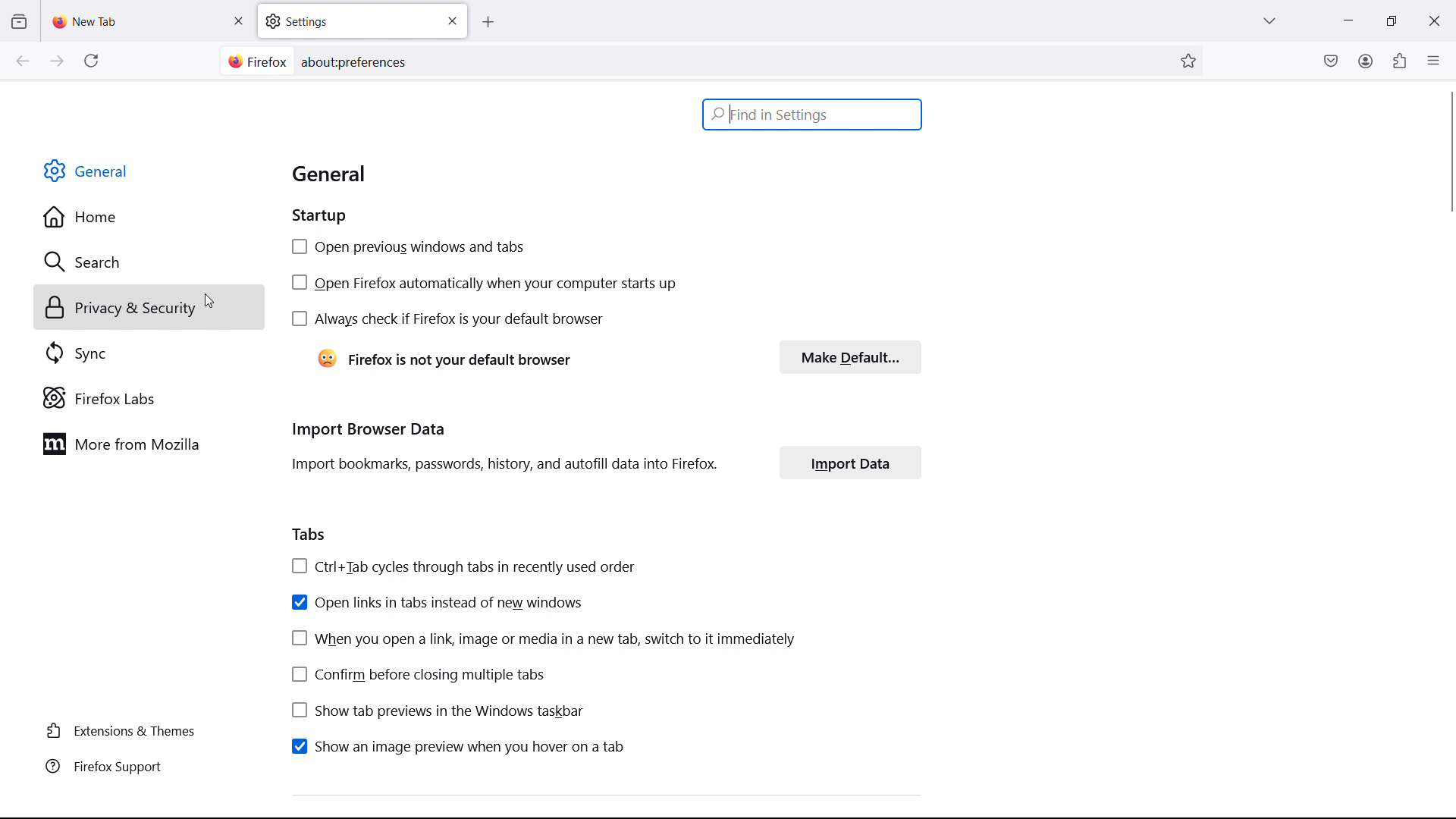 Image resolution: width=1456 pixels, height=819 pixels. What do you see at coordinates (1433, 59) in the screenshot?
I see `open application menu` at bounding box center [1433, 59].